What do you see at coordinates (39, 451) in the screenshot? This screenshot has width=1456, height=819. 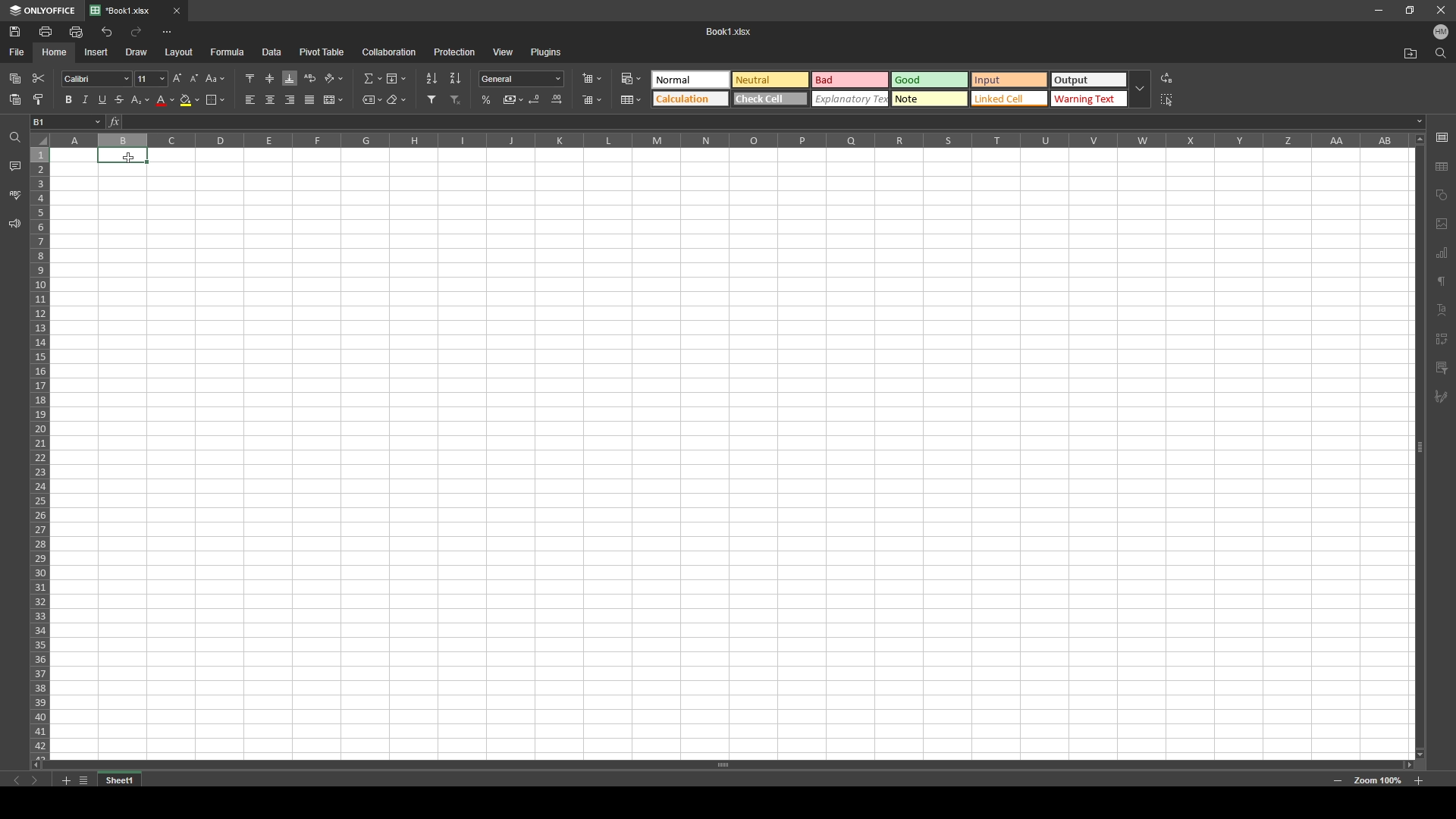 I see `rows` at bounding box center [39, 451].